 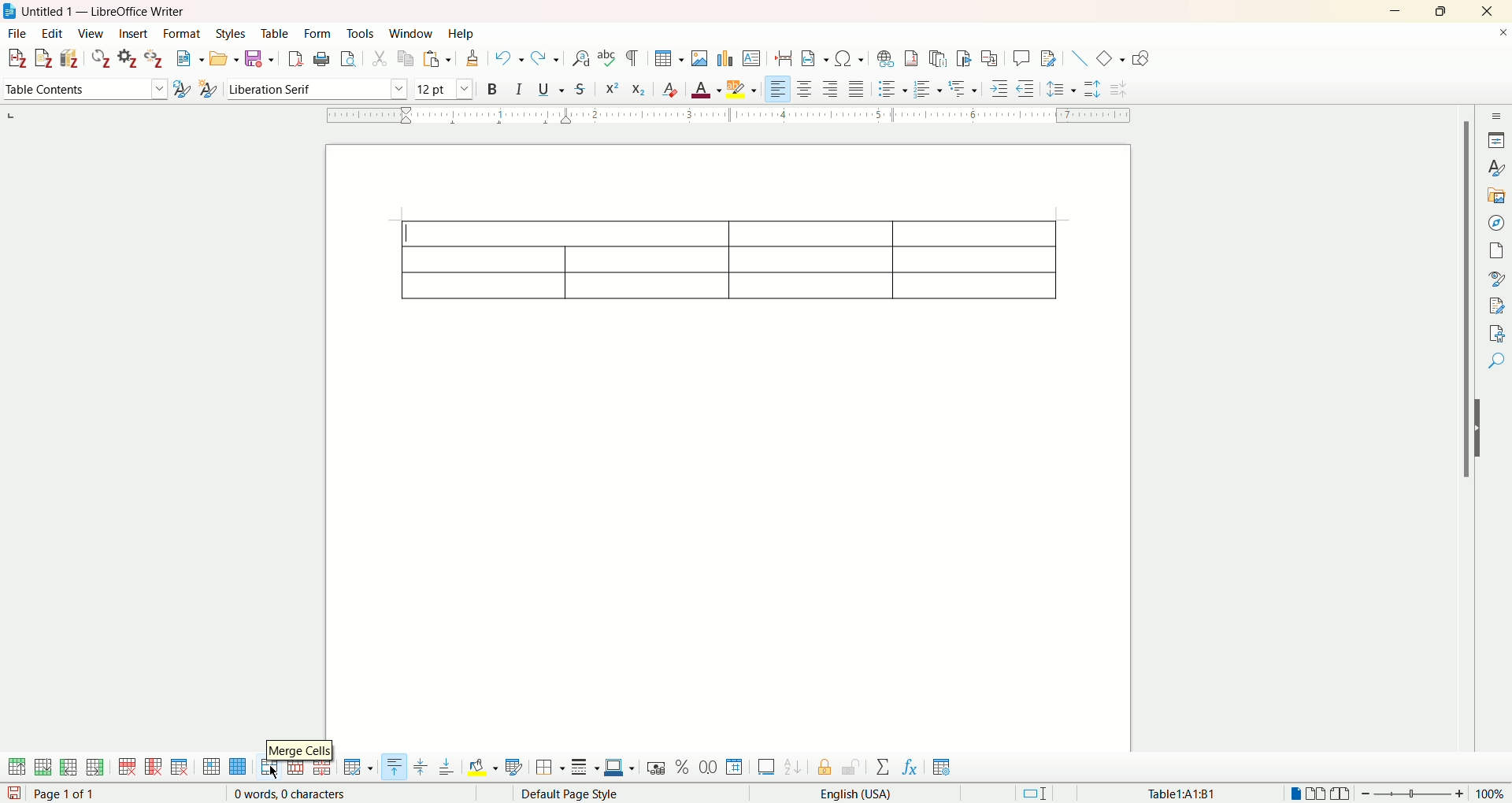 I want to click on standard selection, so click(x=1046, y=792).